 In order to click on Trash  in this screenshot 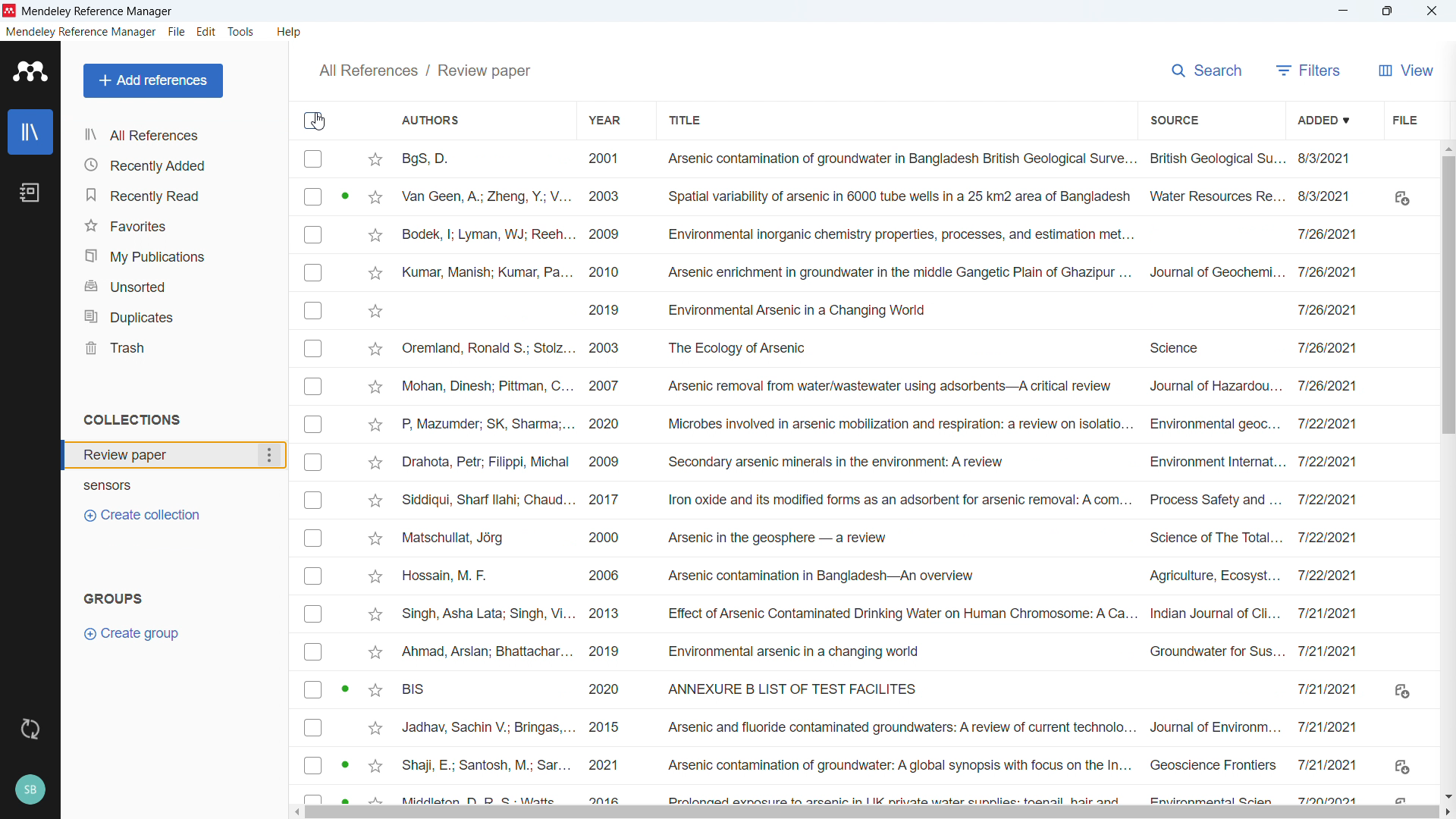, I will do `click(173, 347)`.